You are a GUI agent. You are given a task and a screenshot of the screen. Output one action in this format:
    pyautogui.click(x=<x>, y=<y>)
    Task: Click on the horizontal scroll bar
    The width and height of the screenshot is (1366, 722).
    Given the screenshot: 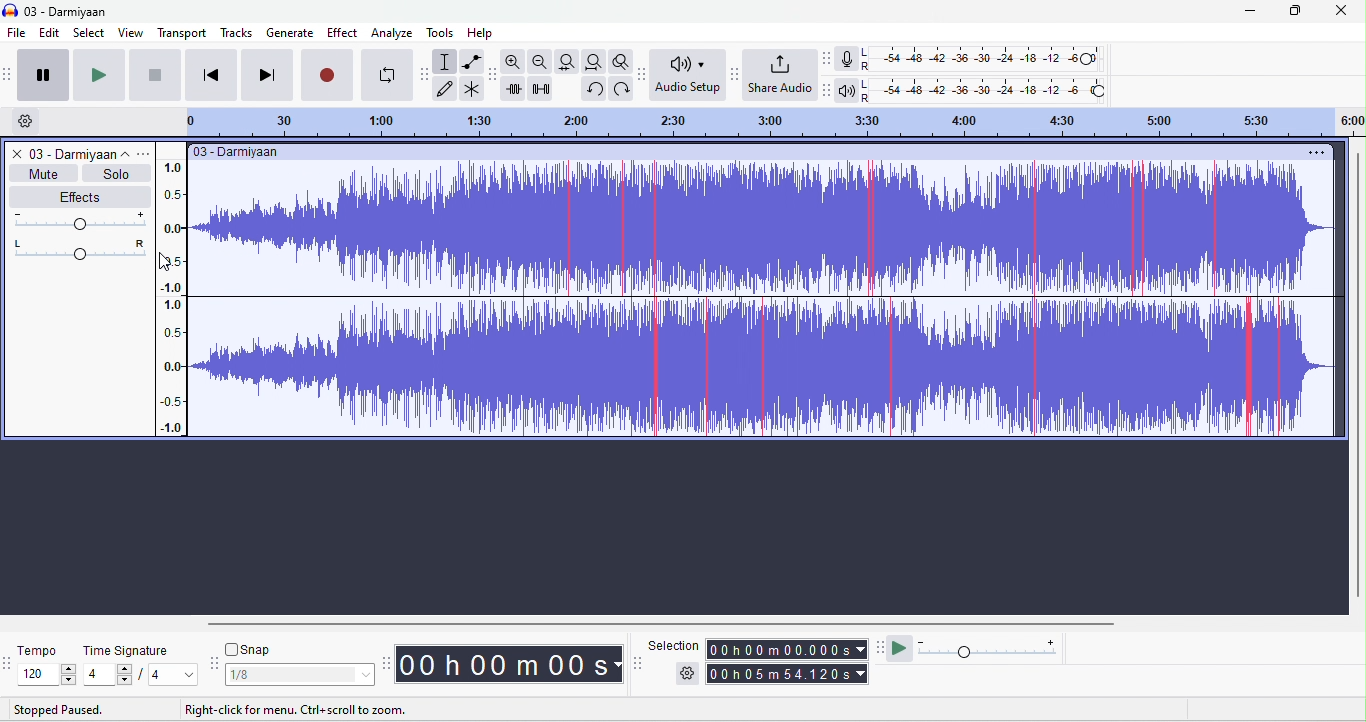 What is the action you would take?
    pyautogui.click(x=663, y=625)
    